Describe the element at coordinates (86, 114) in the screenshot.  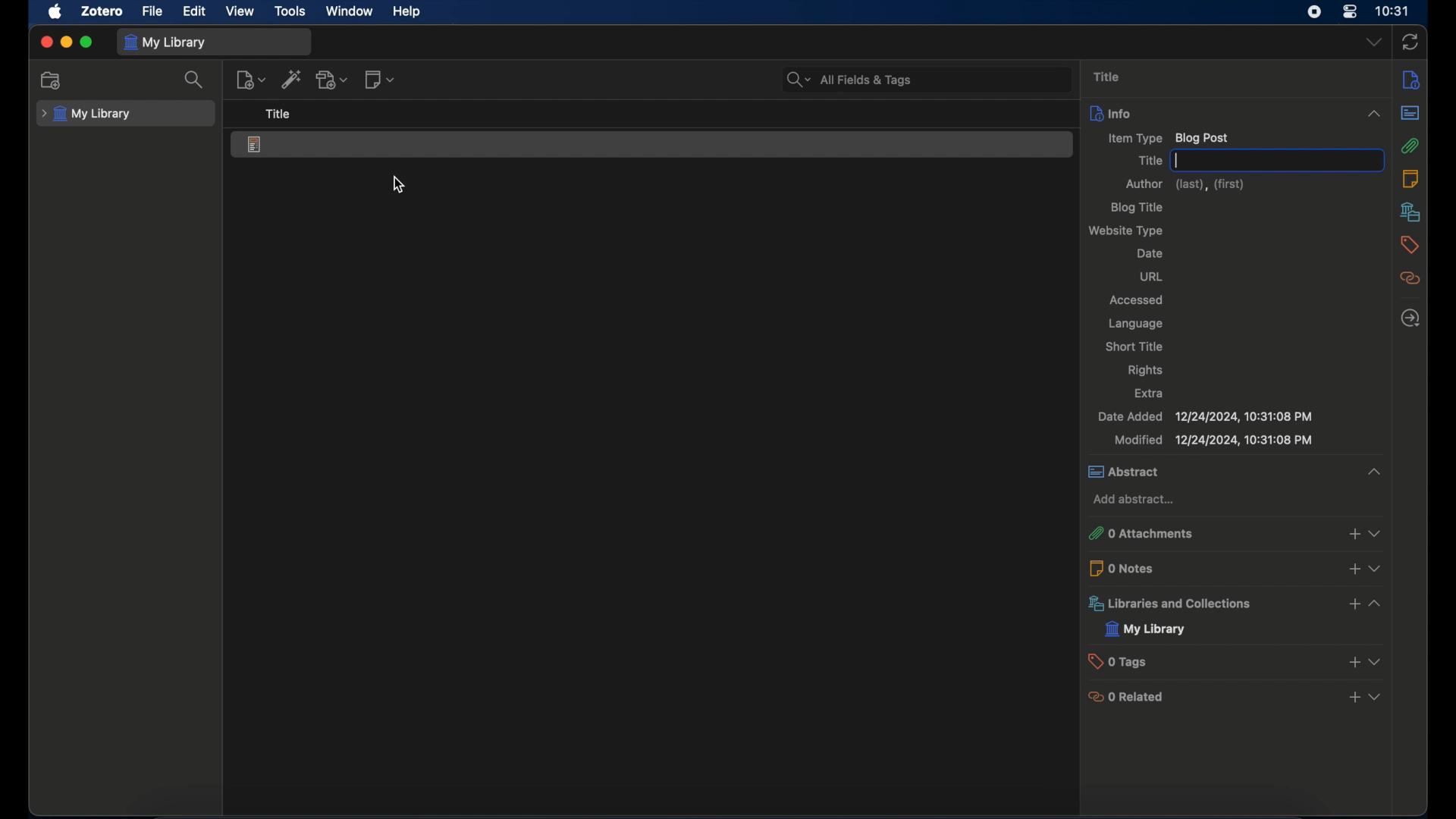
I see `my library` at that location.